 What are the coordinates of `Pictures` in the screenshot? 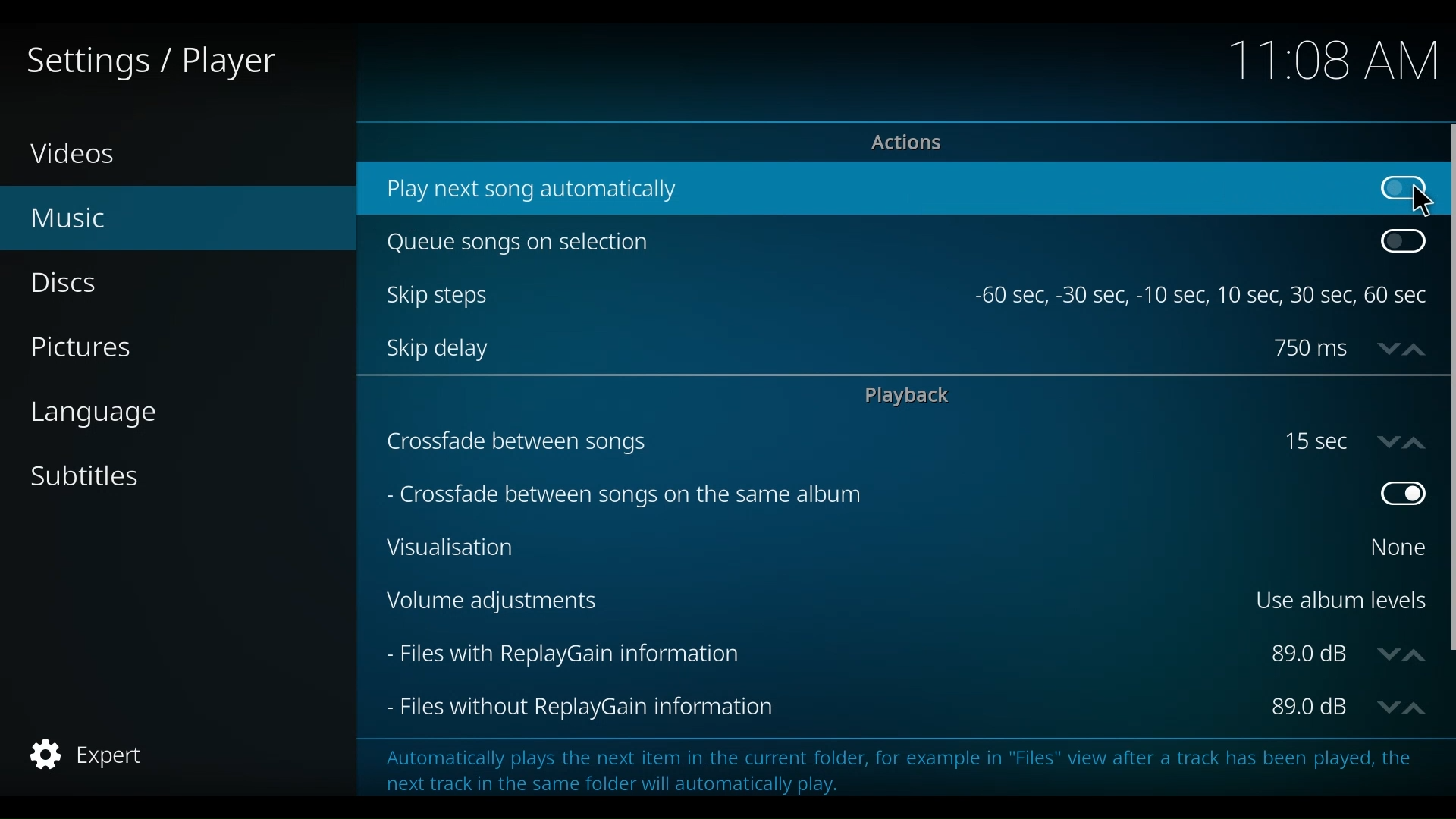 It's located at (85, 347).